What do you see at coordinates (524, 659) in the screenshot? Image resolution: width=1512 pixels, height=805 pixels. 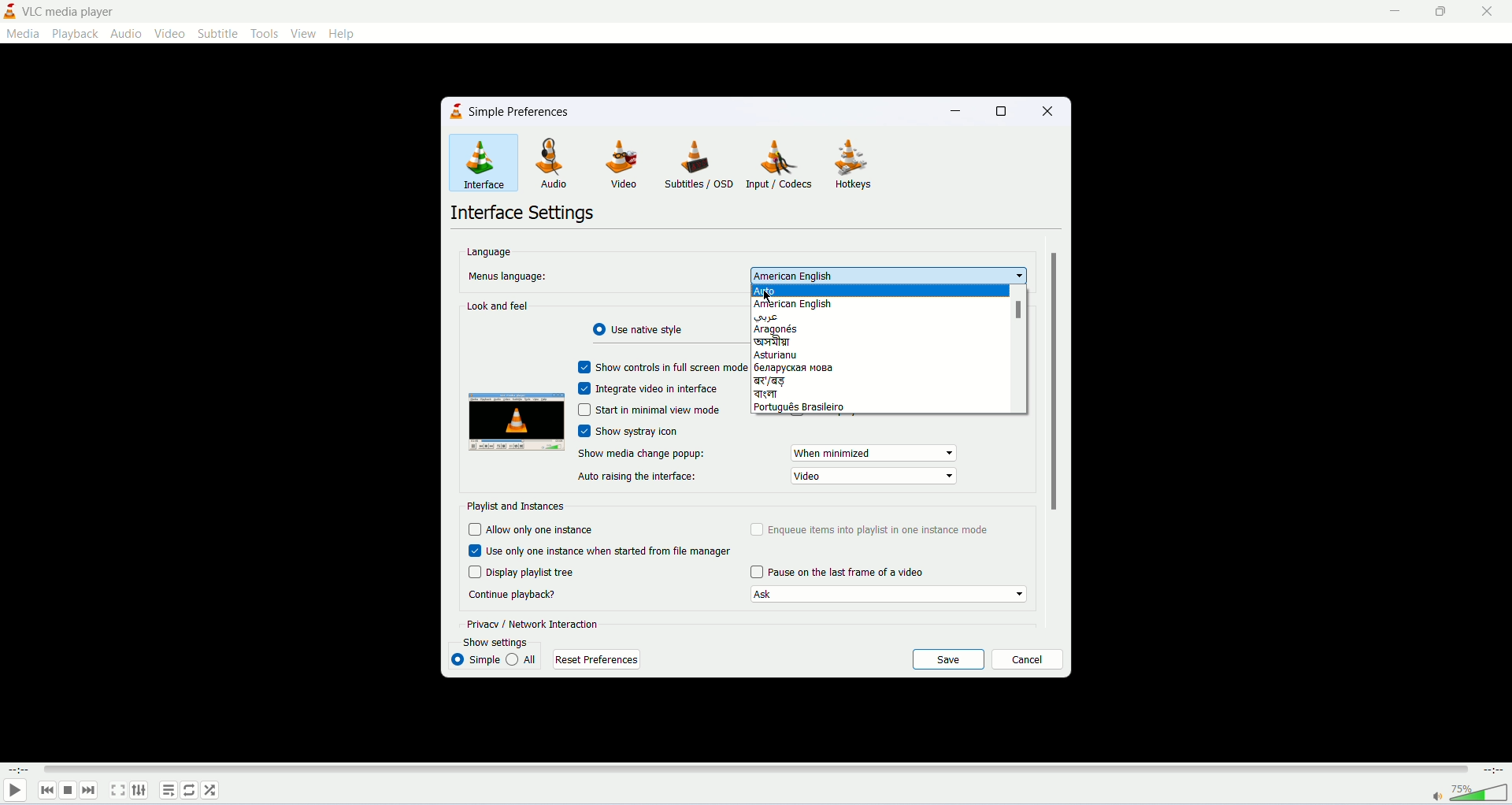 I see `all` at bounding box center [524, 659].